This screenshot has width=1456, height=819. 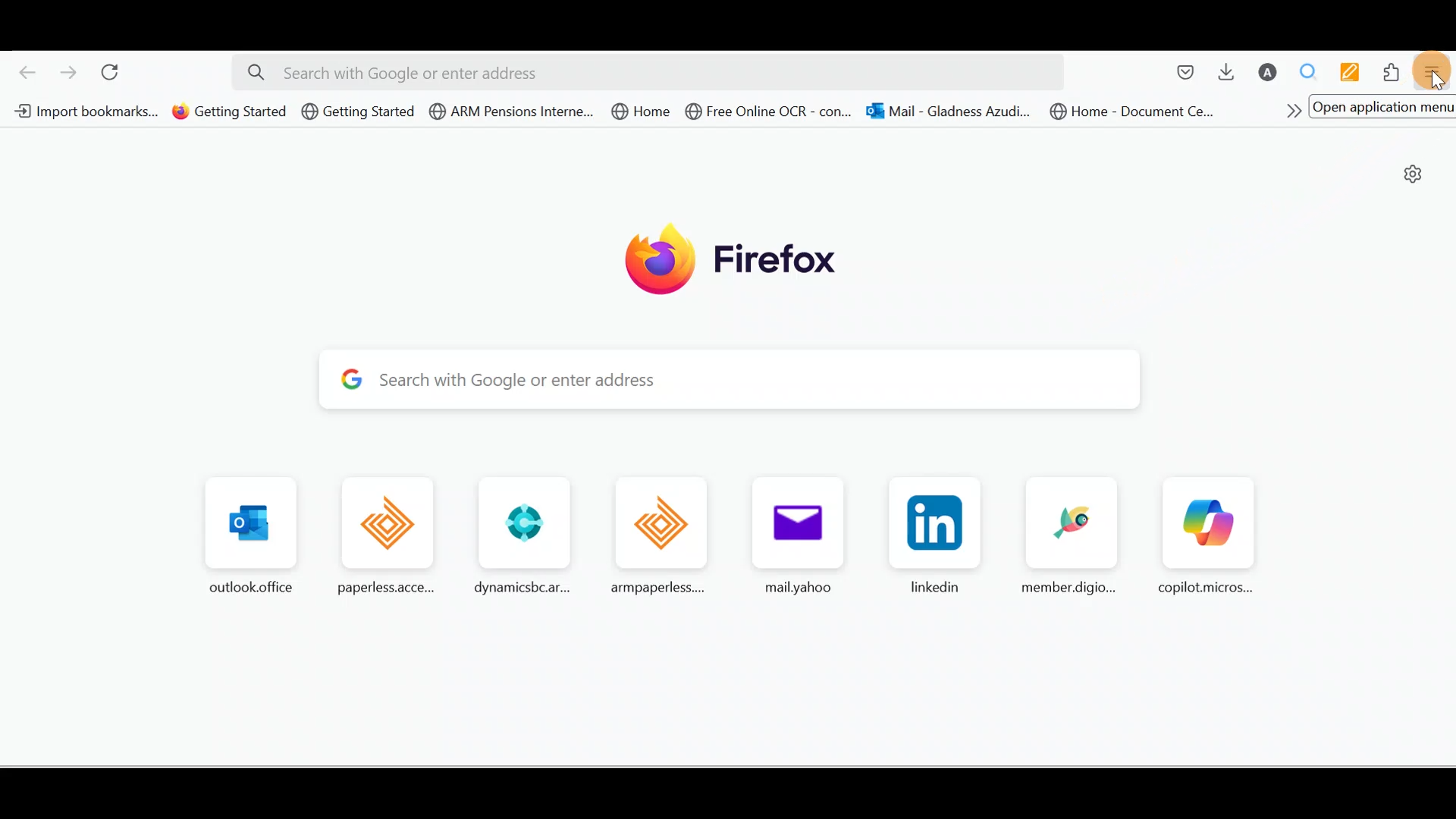 What do you see at coordinates (1137, 115) in the screenshot?
I see `Bookmark 8` at bounding box center [1137, 115].